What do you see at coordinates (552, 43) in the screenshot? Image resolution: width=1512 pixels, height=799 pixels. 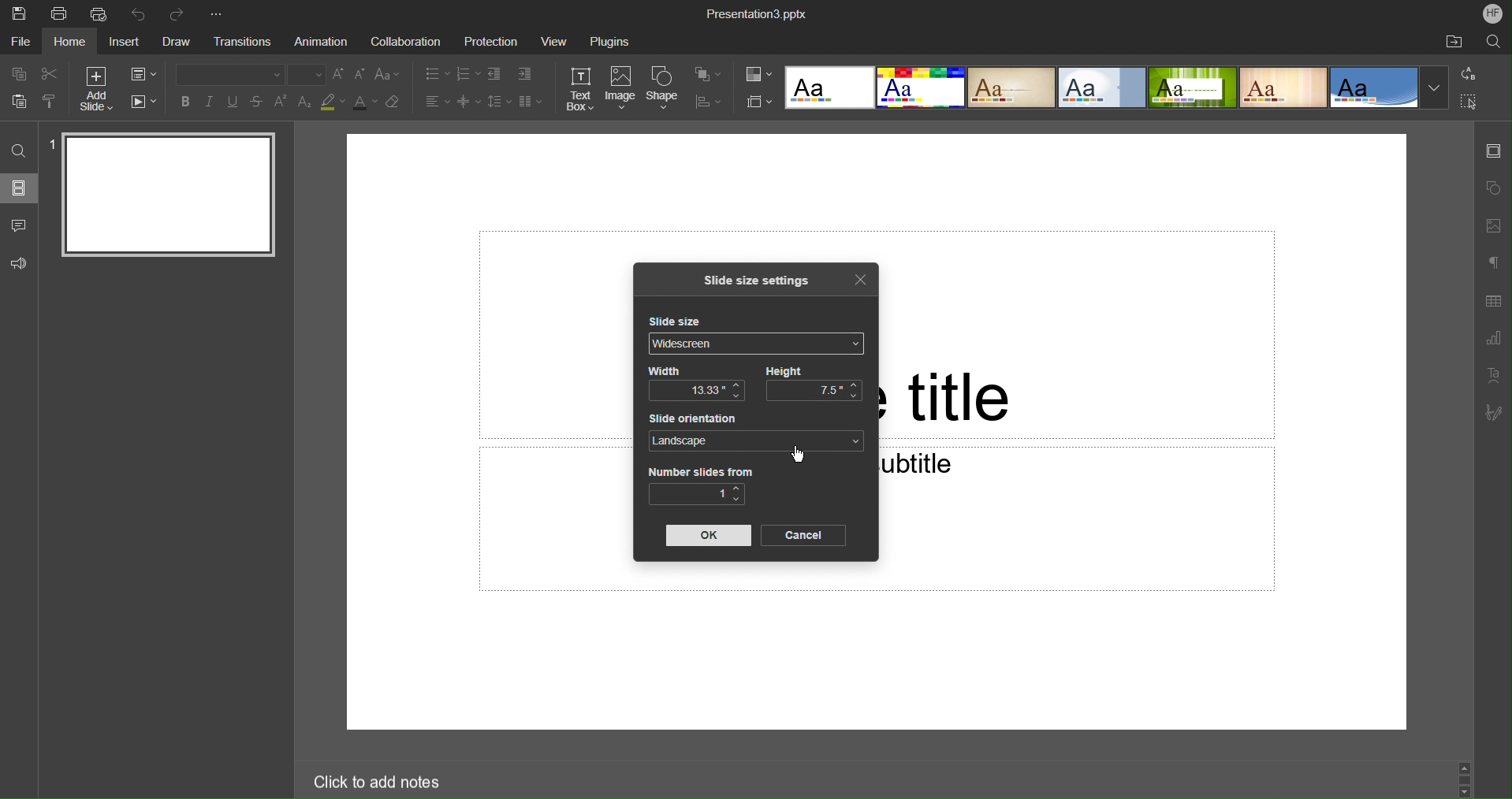 I see `View` at bounding box center [552, 43].